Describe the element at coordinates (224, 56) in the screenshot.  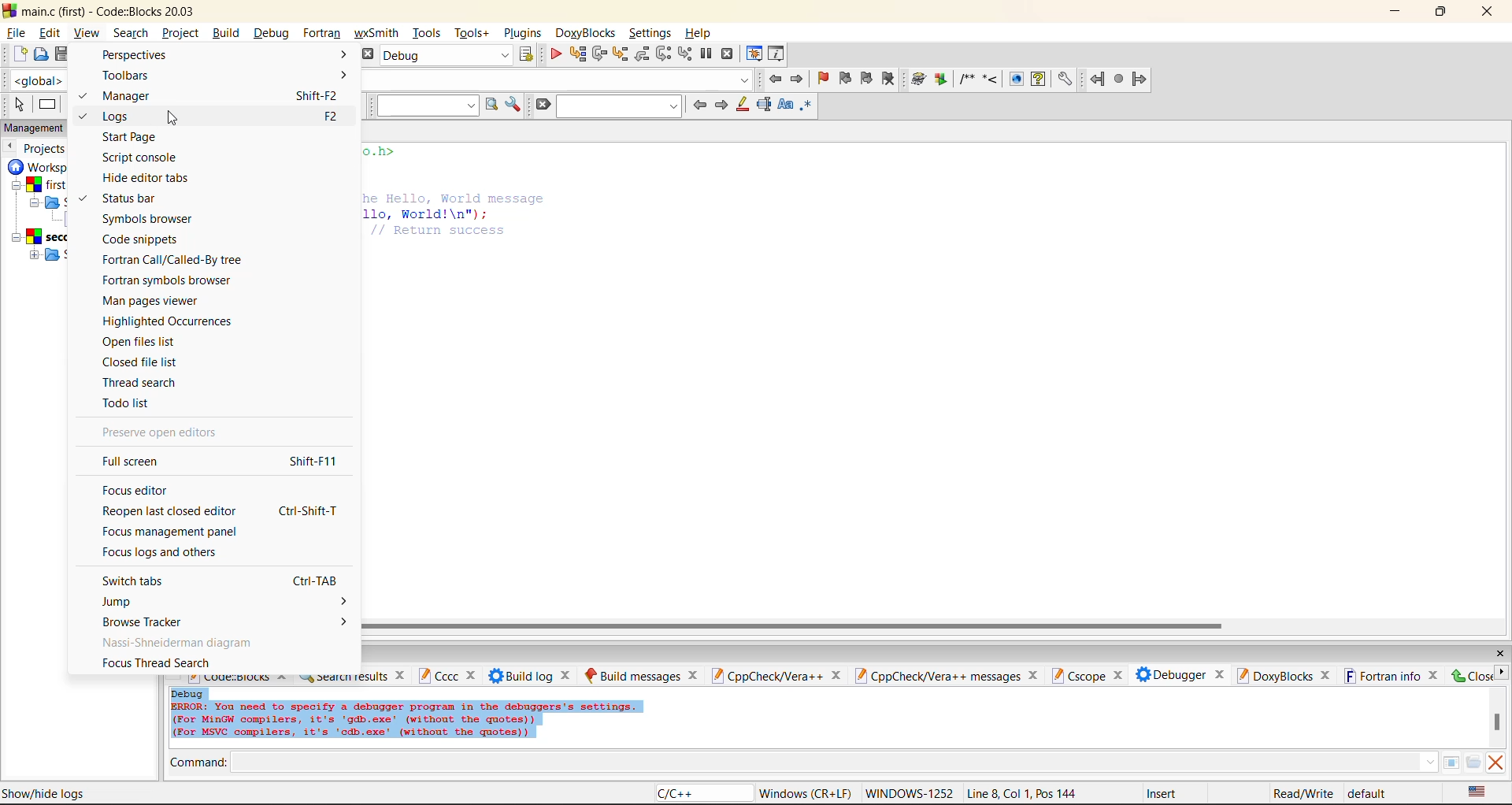
I see `perspectives` at that location.